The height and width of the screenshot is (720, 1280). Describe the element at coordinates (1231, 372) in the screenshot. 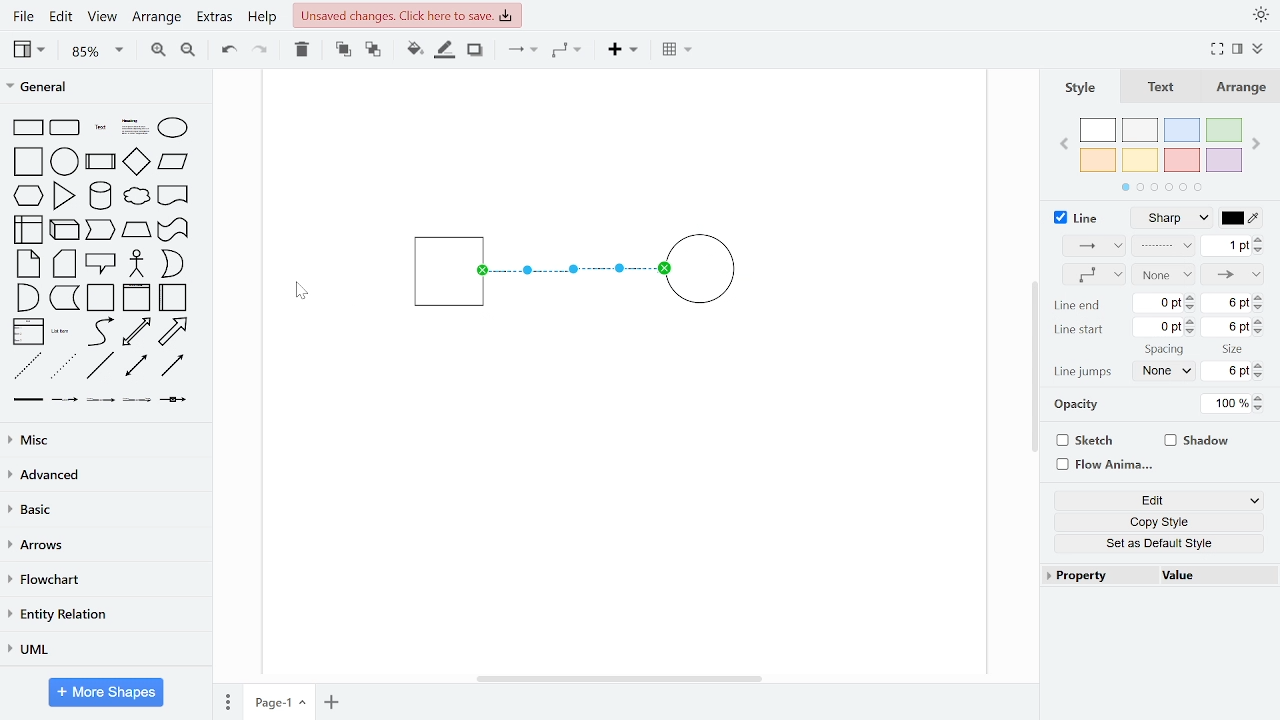

I see `change line jumps` at that location.